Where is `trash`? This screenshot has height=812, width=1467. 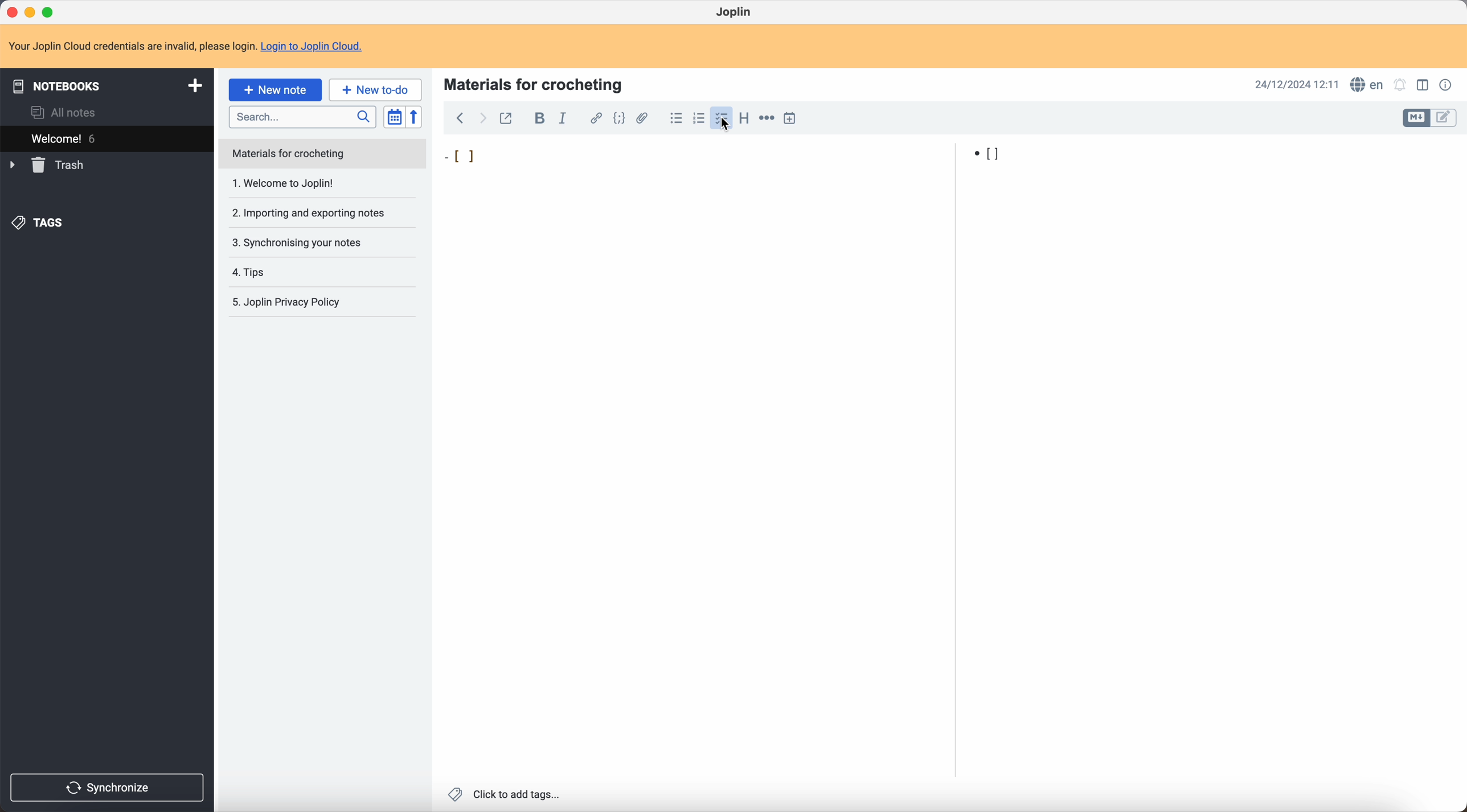
trash is located at coordinates (49, 165).